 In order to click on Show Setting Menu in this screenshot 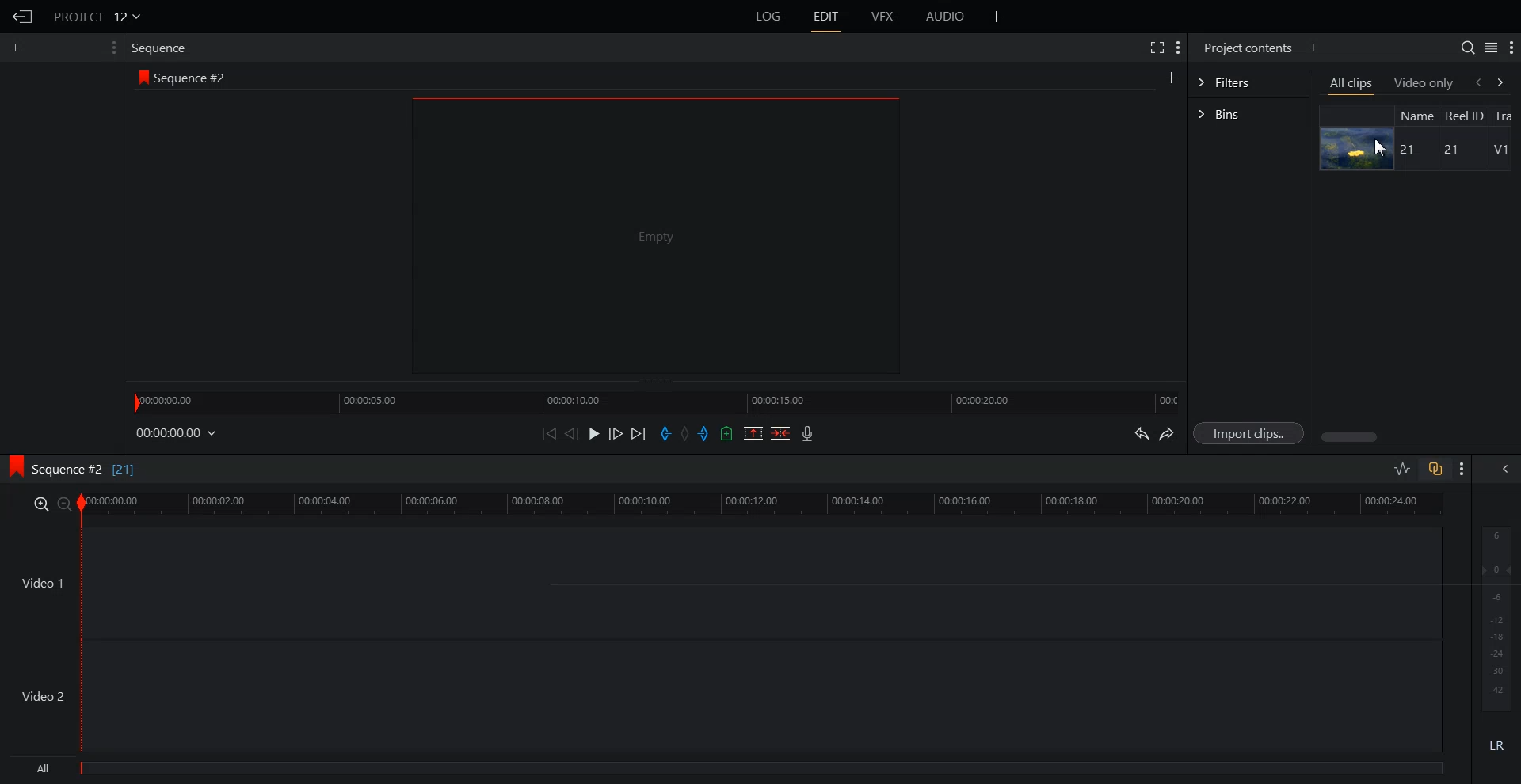, I will do `click(1179, 49)`.